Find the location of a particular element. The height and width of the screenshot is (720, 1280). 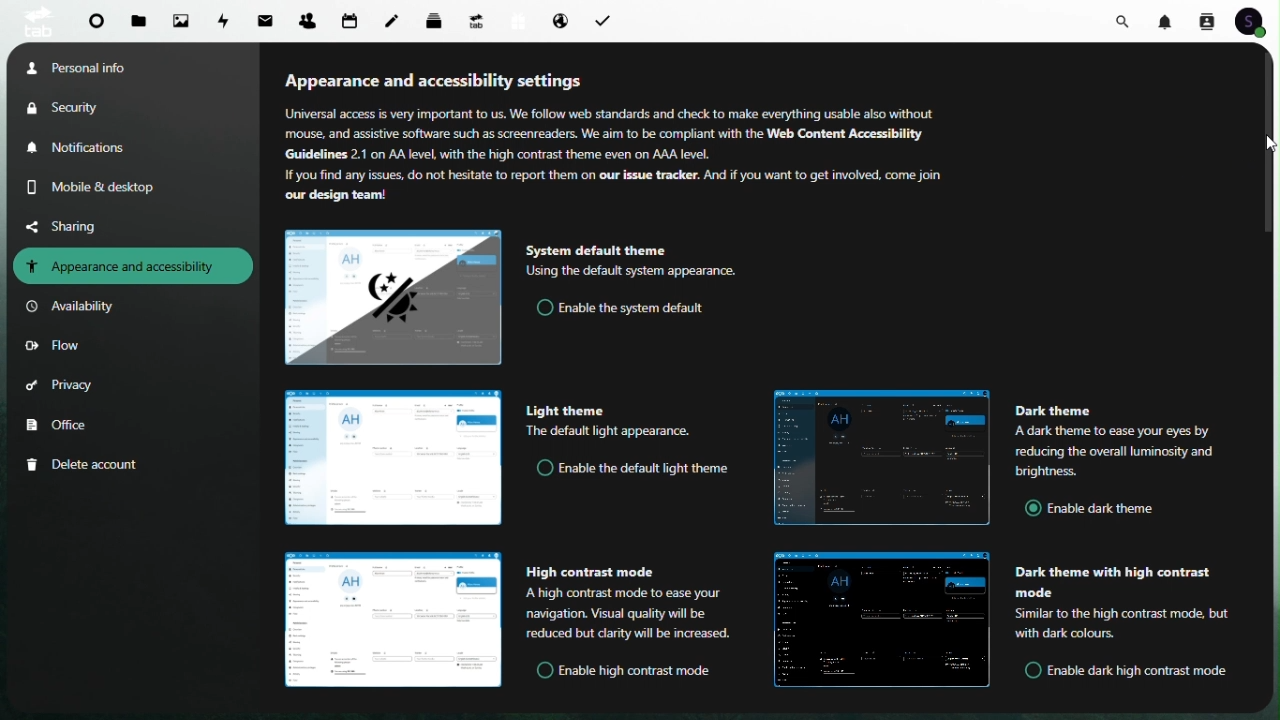

Privacy is located at coordinates (61, 389).